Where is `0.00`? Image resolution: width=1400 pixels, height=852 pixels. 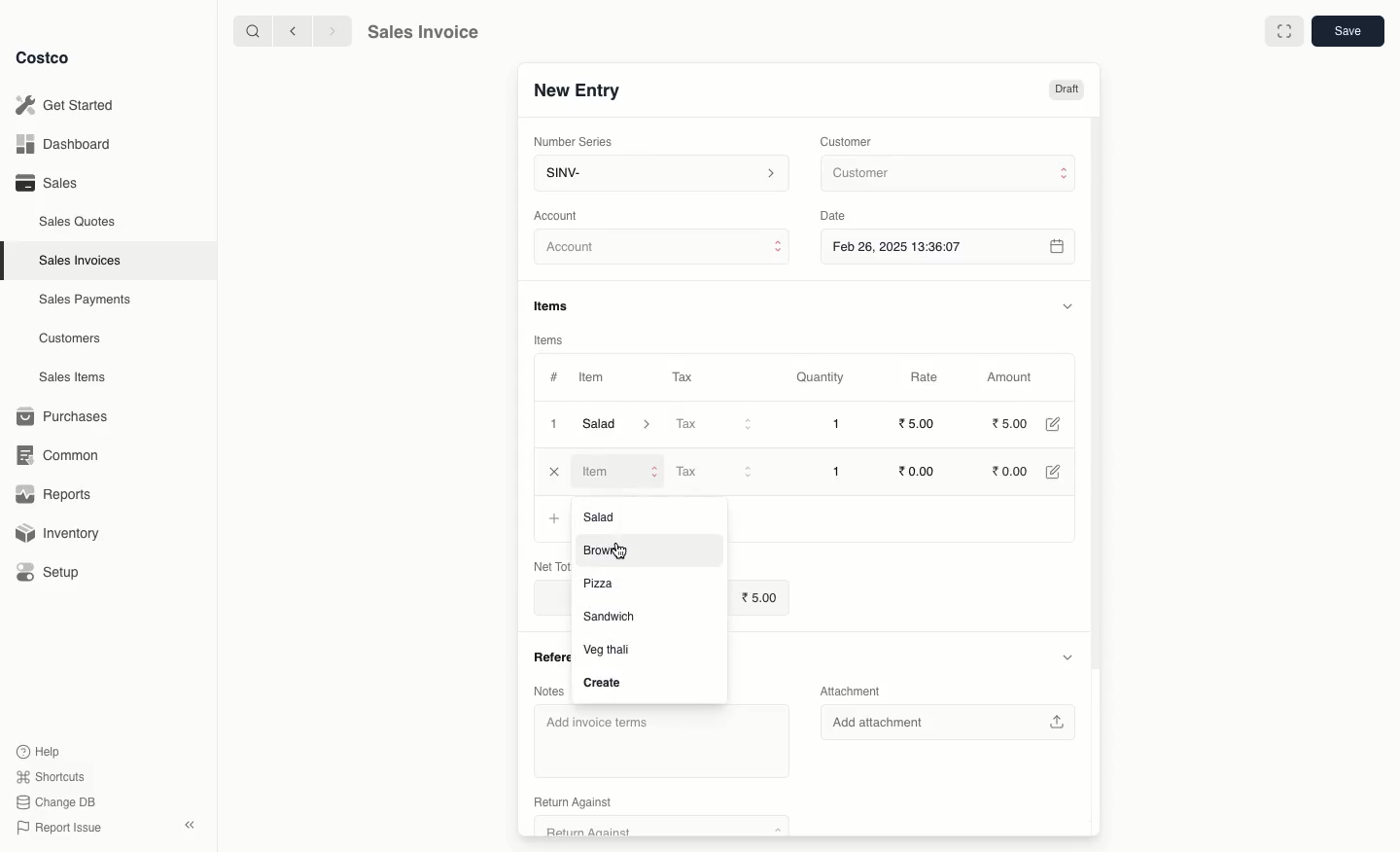
0.00 is located at coordinates (1011, 472).